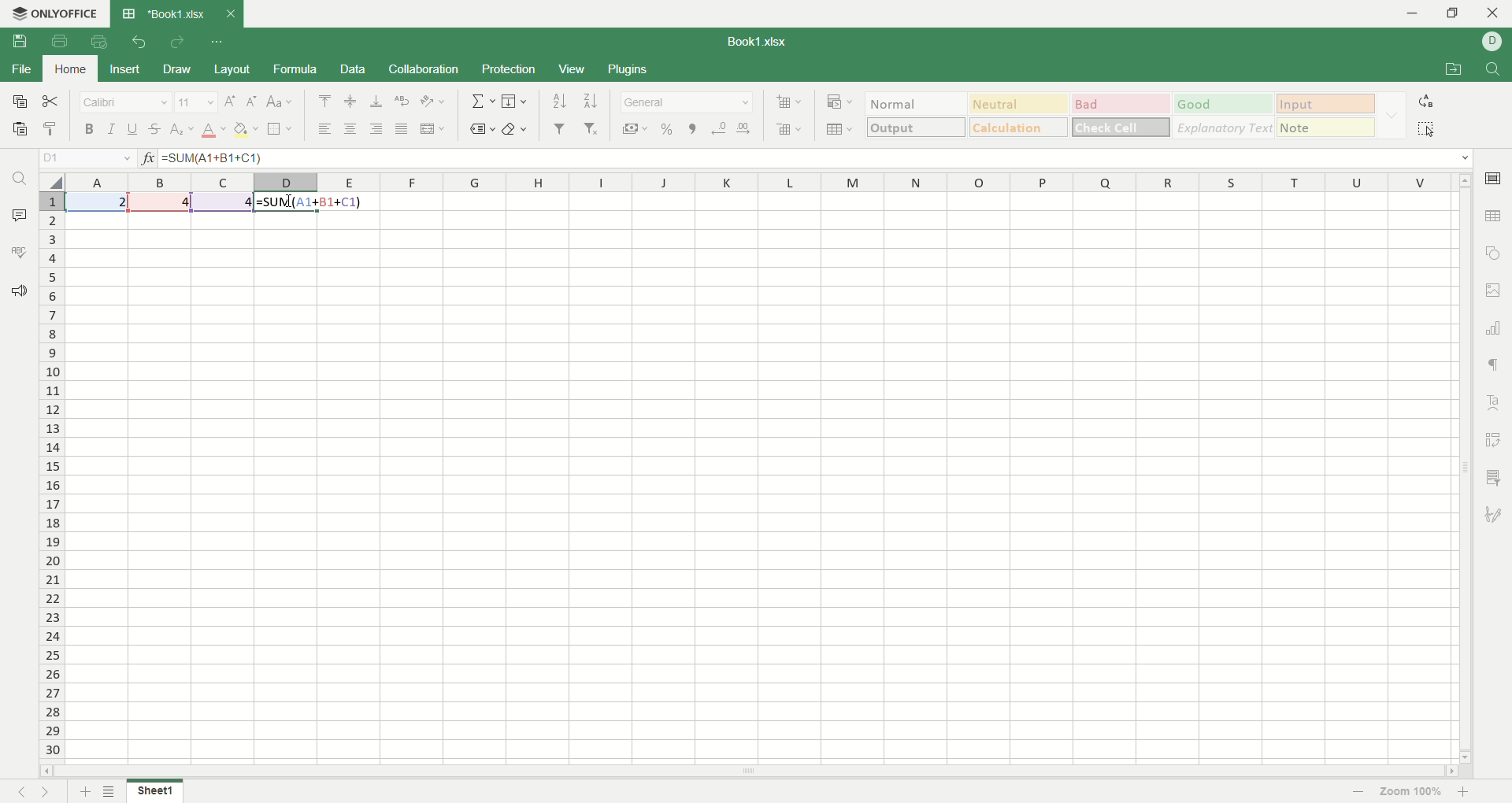  I want to click on minimize, so click(1411, 13).